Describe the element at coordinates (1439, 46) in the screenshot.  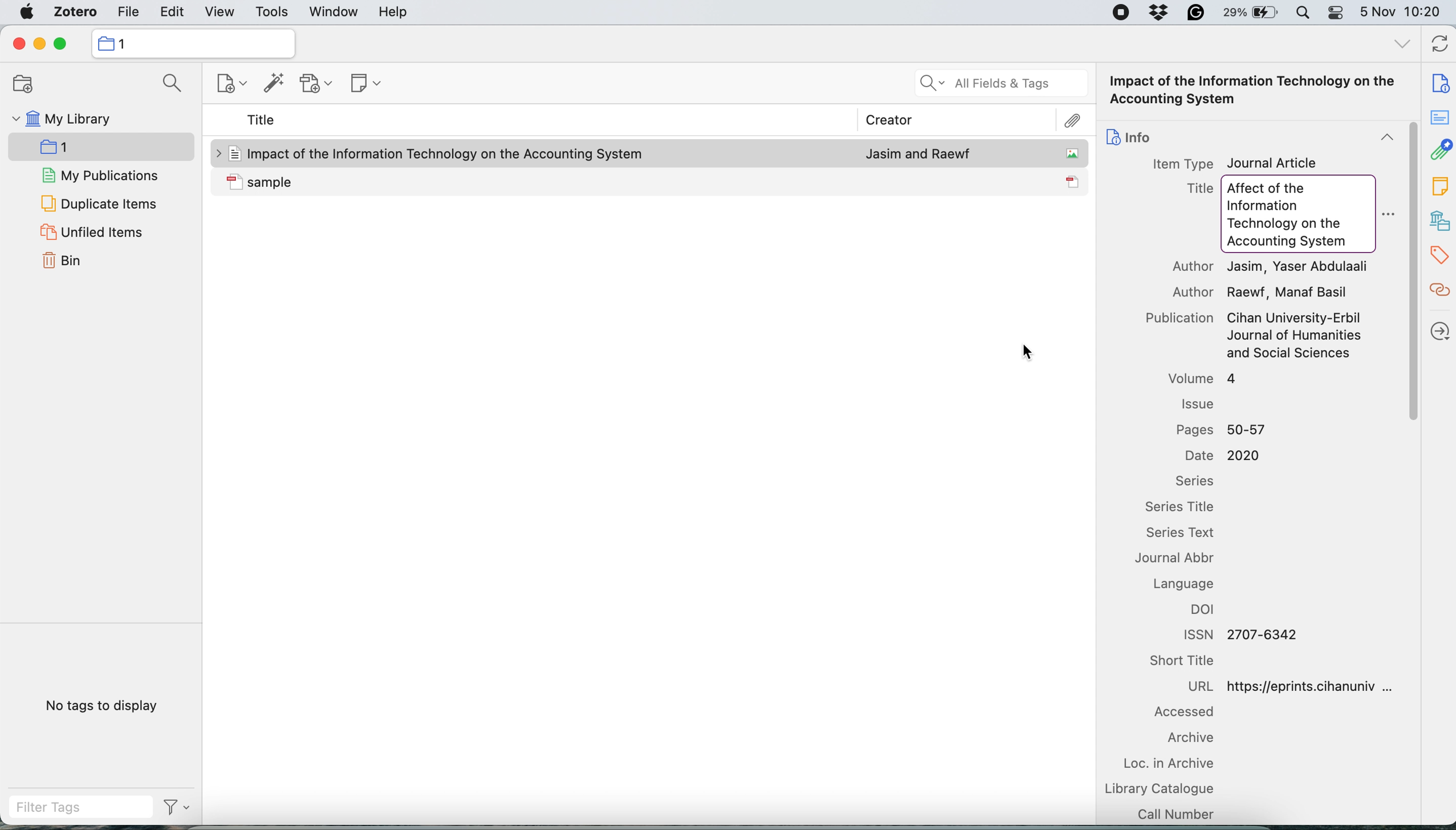
I see `refresh` at that location.